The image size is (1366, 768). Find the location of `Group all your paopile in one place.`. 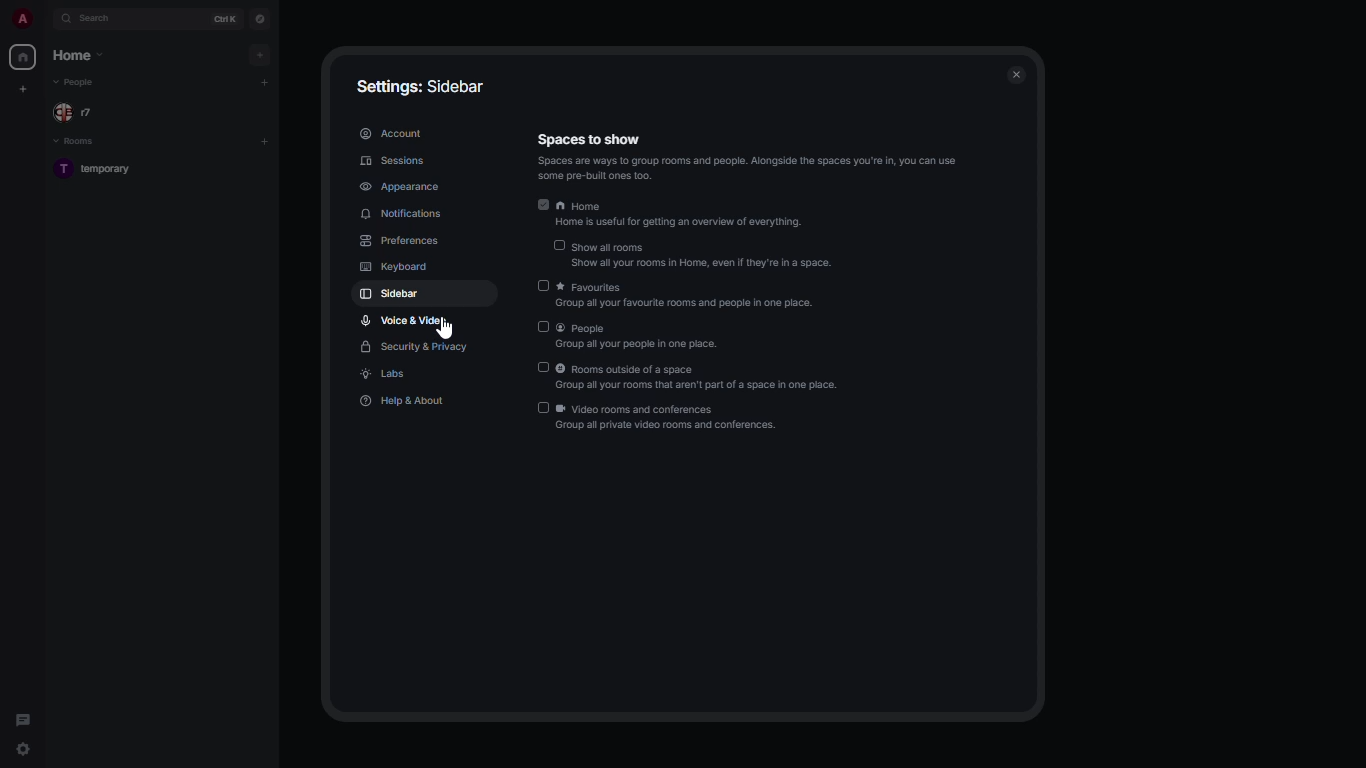

Group all your paopile in one place. is located at coordinates (647, 345).